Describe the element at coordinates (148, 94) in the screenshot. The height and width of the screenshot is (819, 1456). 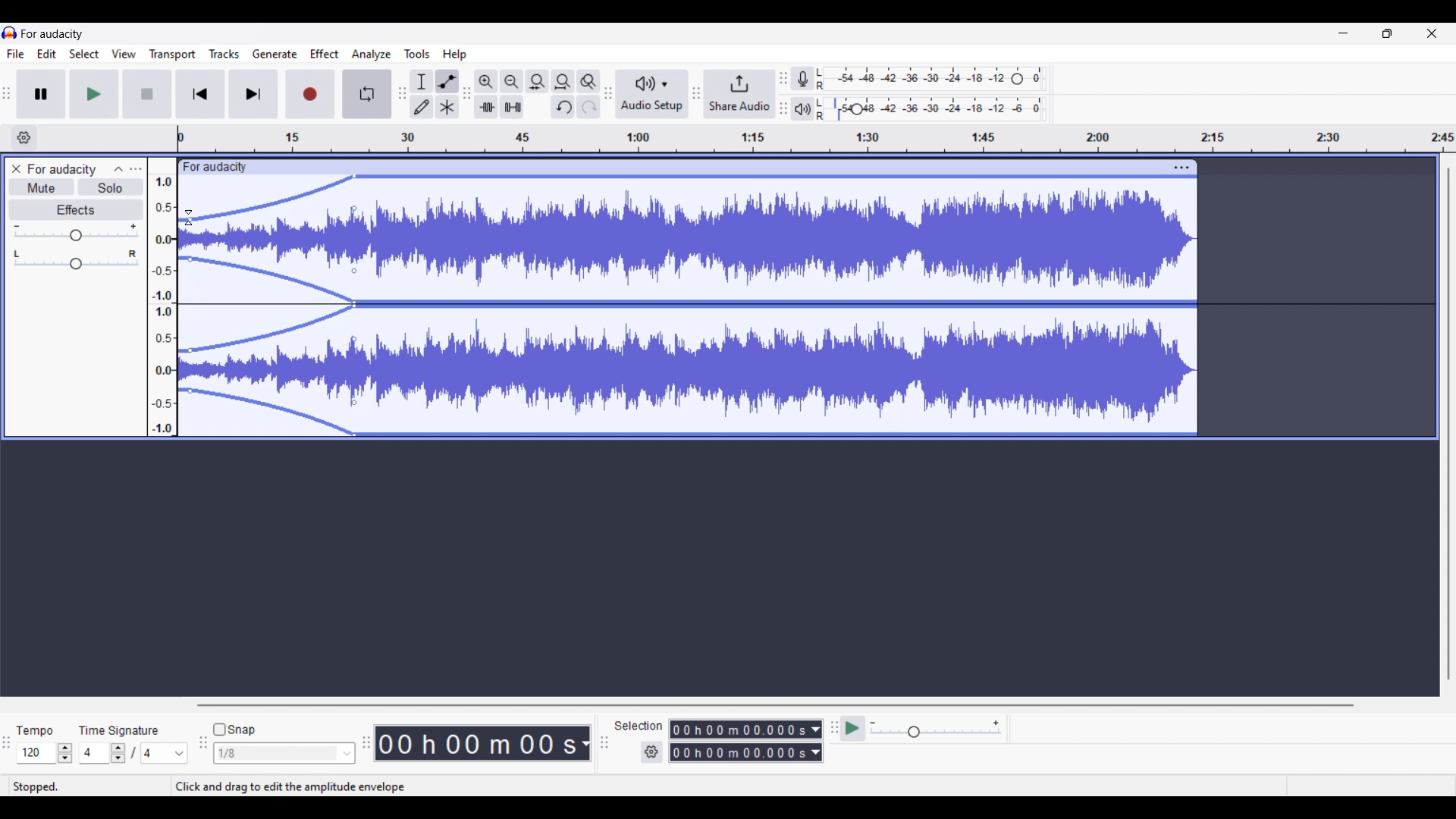
I see `Stop` at that location.